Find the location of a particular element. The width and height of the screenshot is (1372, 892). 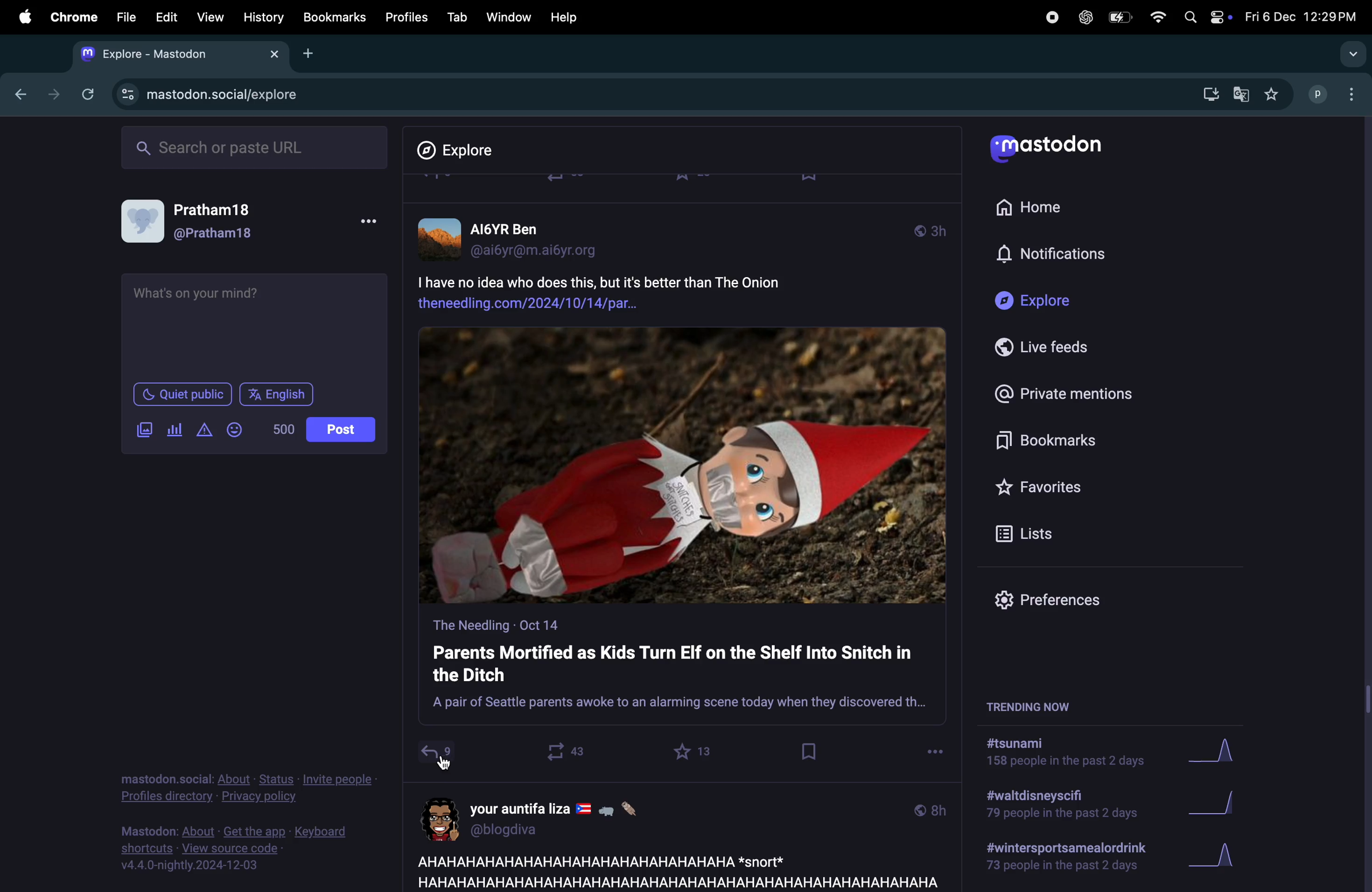

view is located at coordinates (207, 18).